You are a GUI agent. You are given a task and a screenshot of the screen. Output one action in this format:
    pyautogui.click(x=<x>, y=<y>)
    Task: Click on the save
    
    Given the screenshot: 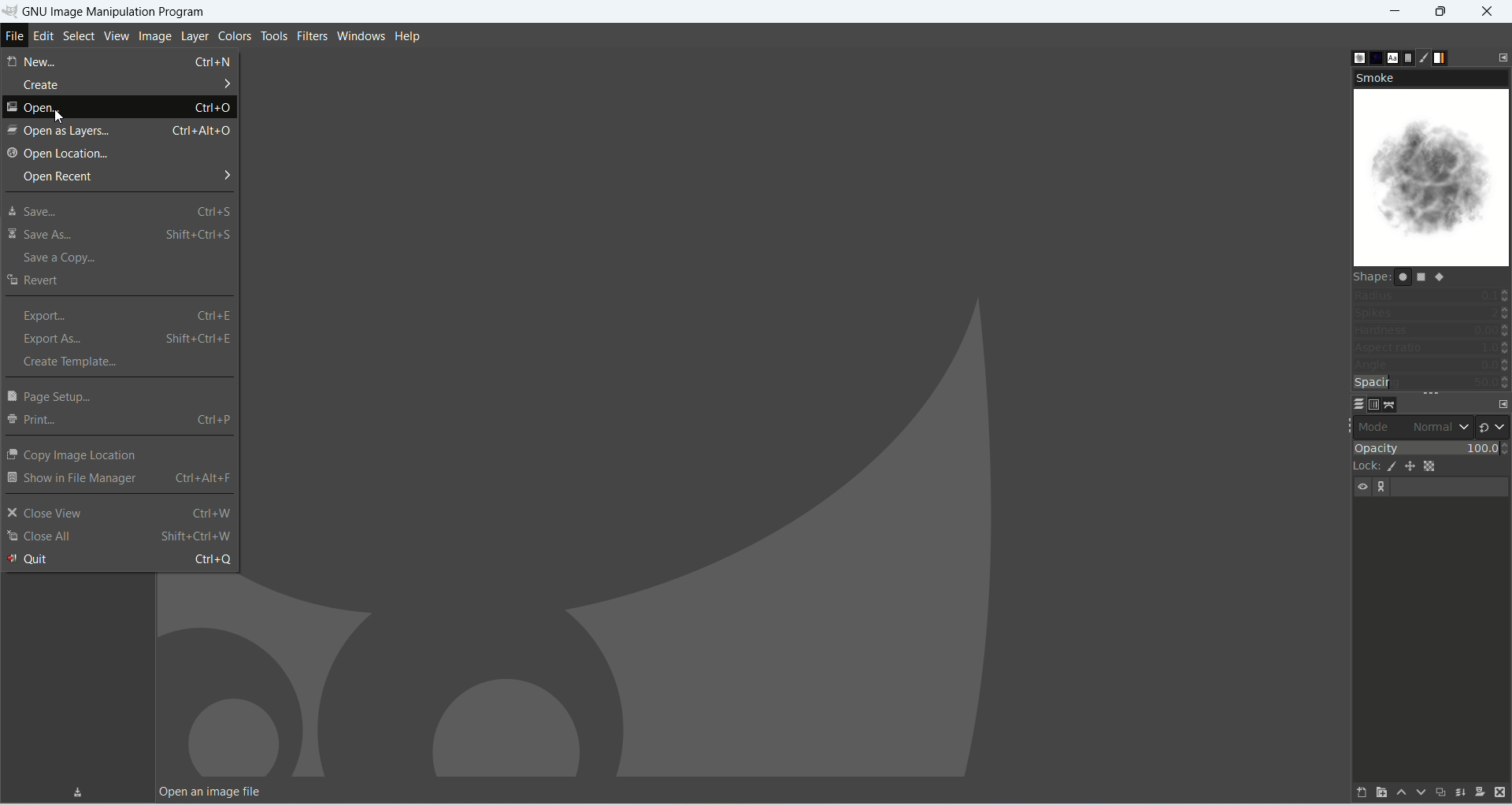 What is the action you would take?
    pyautogui.click(x=117, y=211)
    